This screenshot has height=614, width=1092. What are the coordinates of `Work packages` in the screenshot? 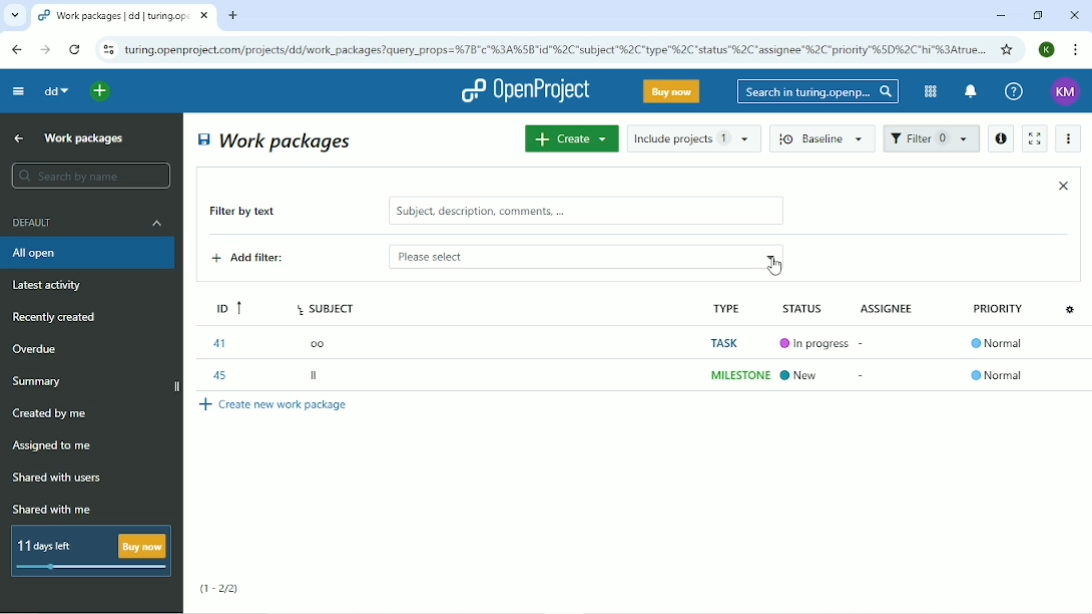 It's located at (85, 137).